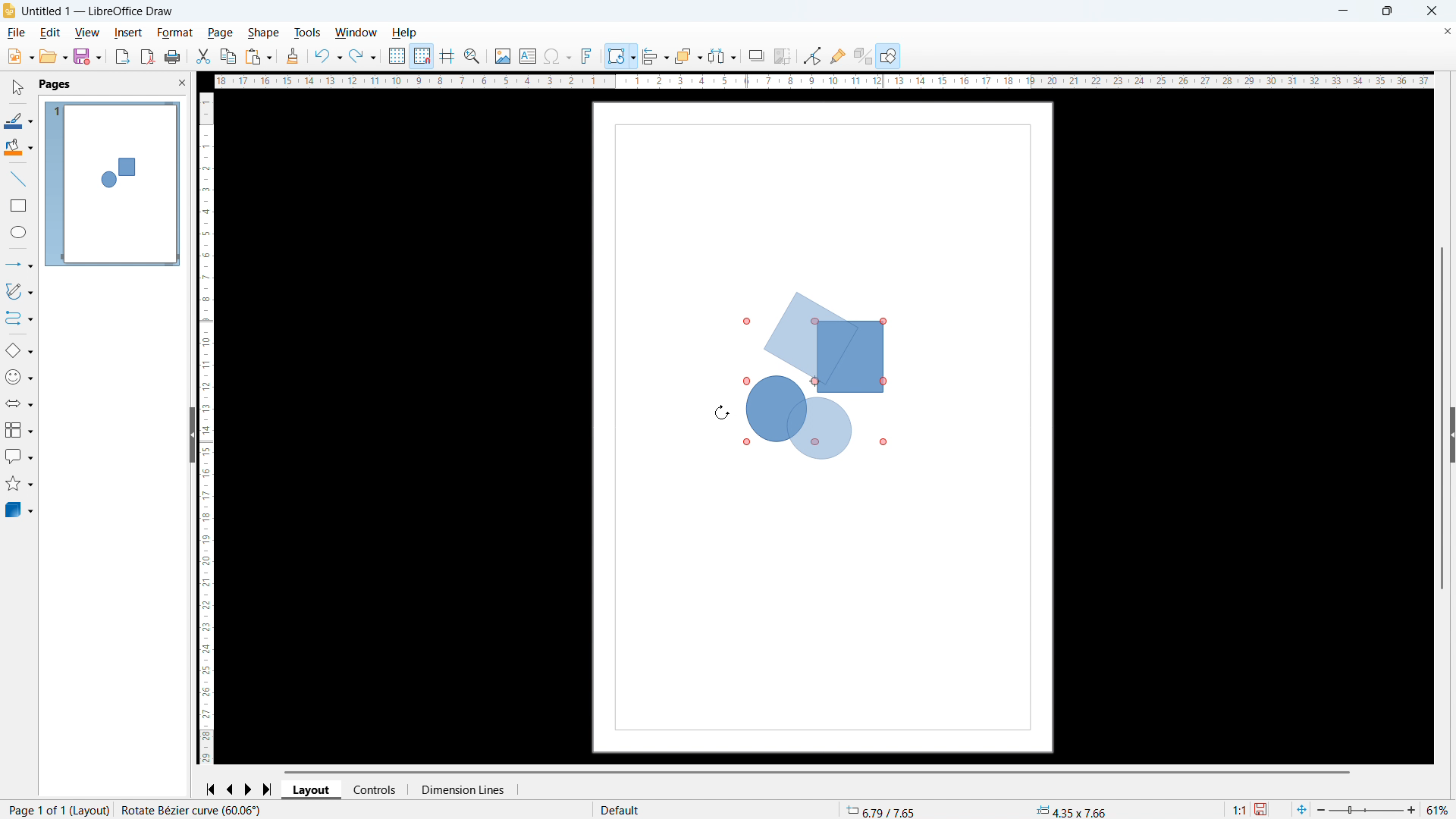  What do you see at coordinates (129, 33) in the screenshot?
I see `Insert ` at bounding box center [129, 33].